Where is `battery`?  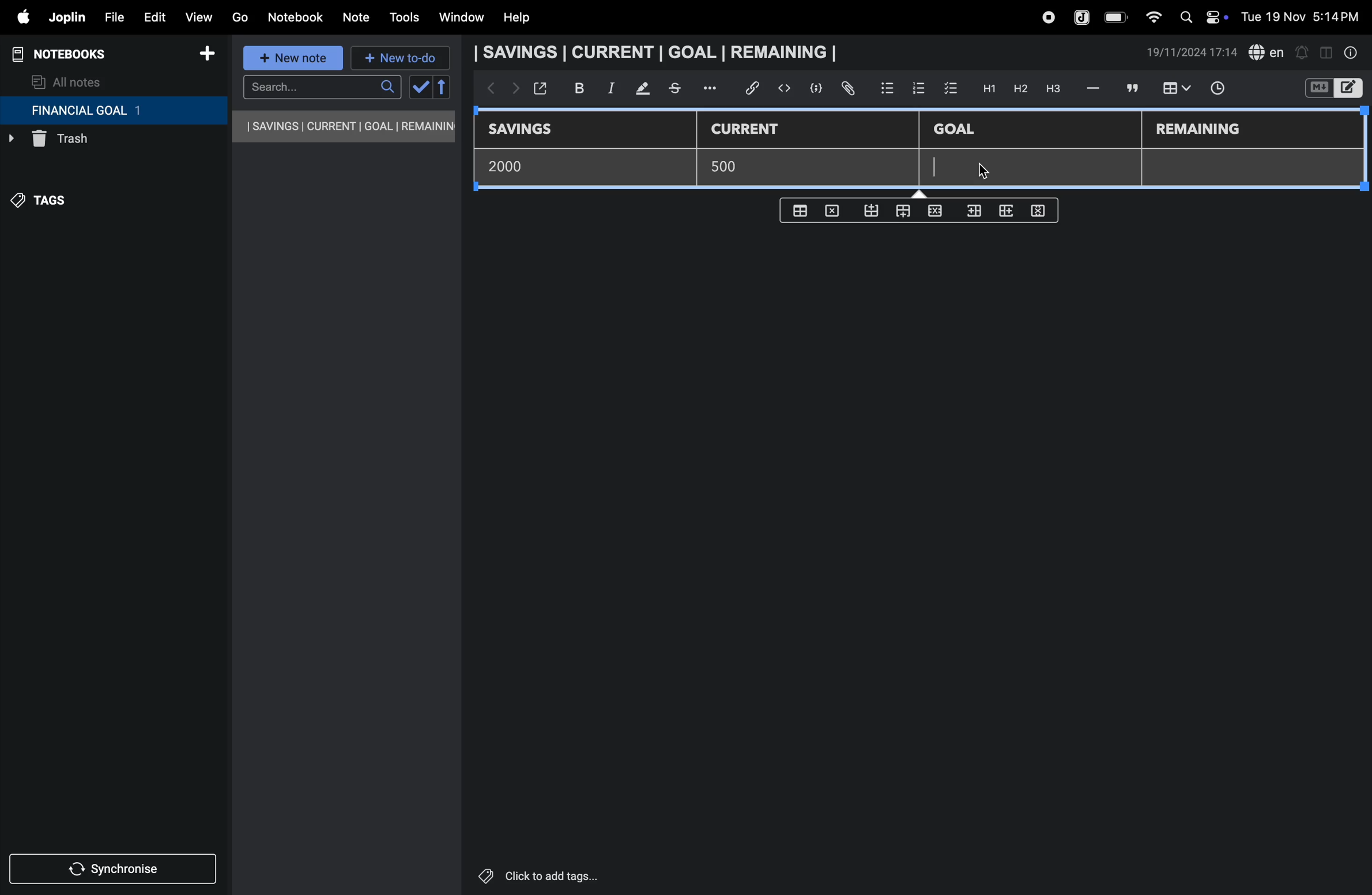 battery is located at coordinates (1117, 17).